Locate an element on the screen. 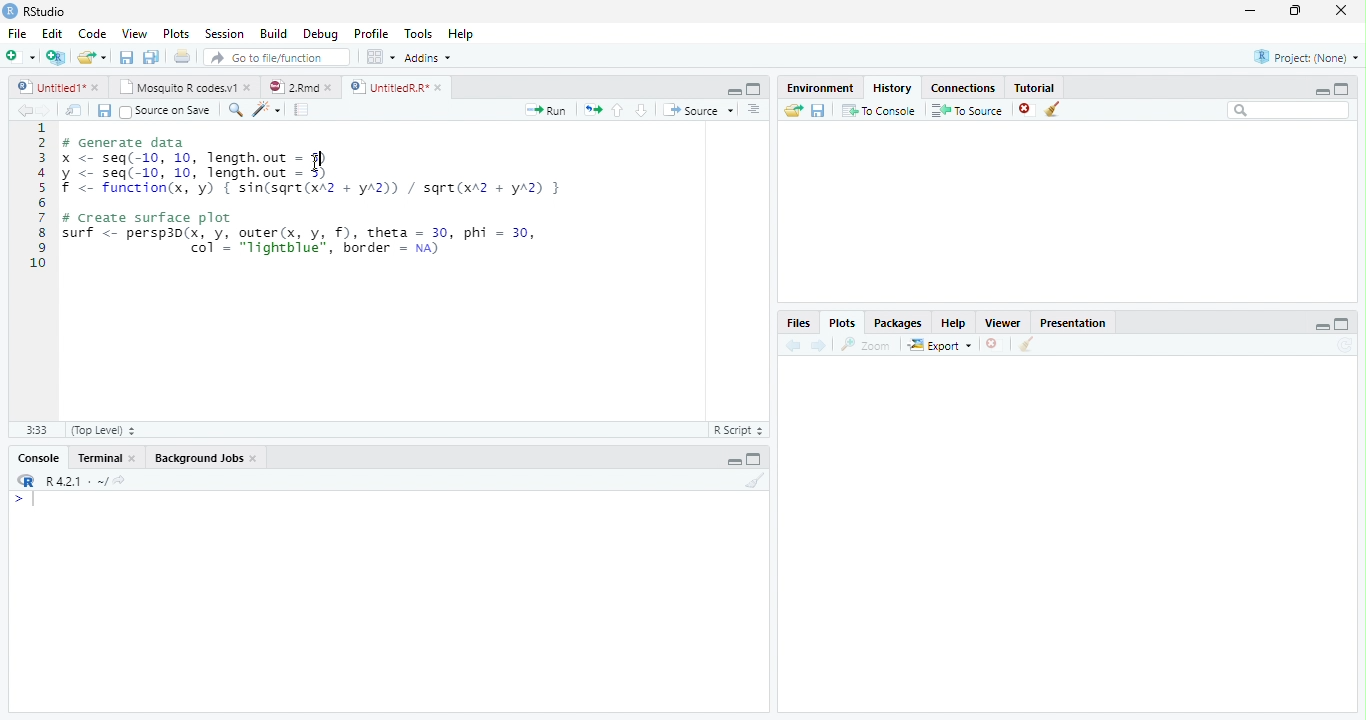 Image resolution: width=1366 pixels, height=720 pixels. Terminal is located at coordinates (99, 458).